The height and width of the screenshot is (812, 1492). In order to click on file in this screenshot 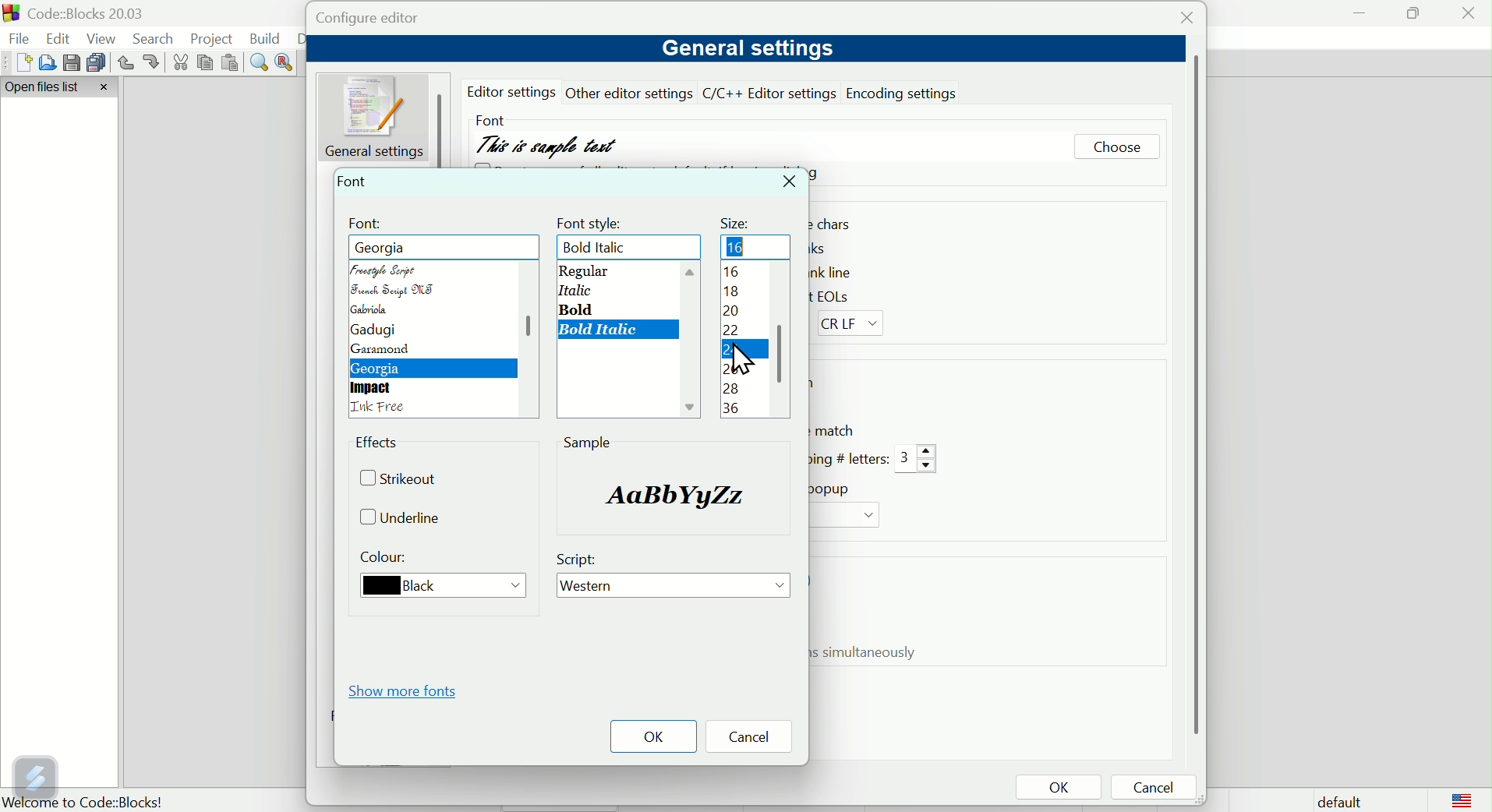, I will do `click(20, 40)`.